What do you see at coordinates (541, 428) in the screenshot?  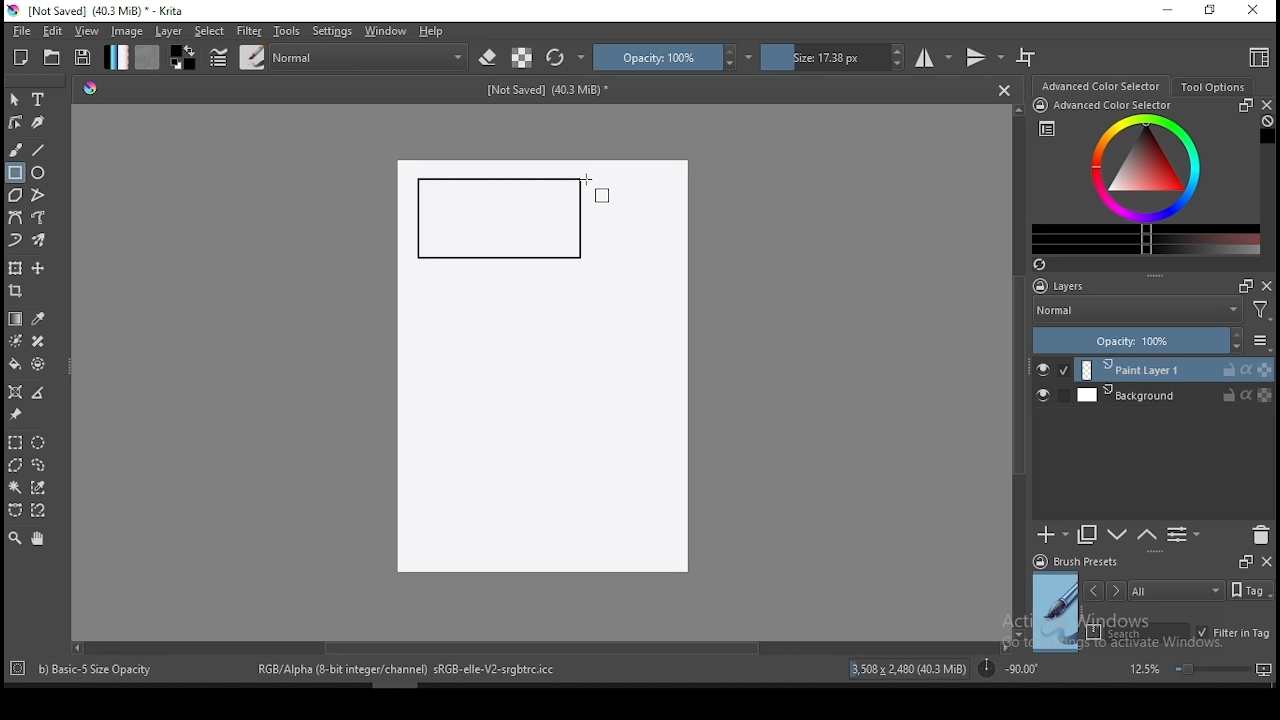 I see `Image` at bounding box center [541, 428].